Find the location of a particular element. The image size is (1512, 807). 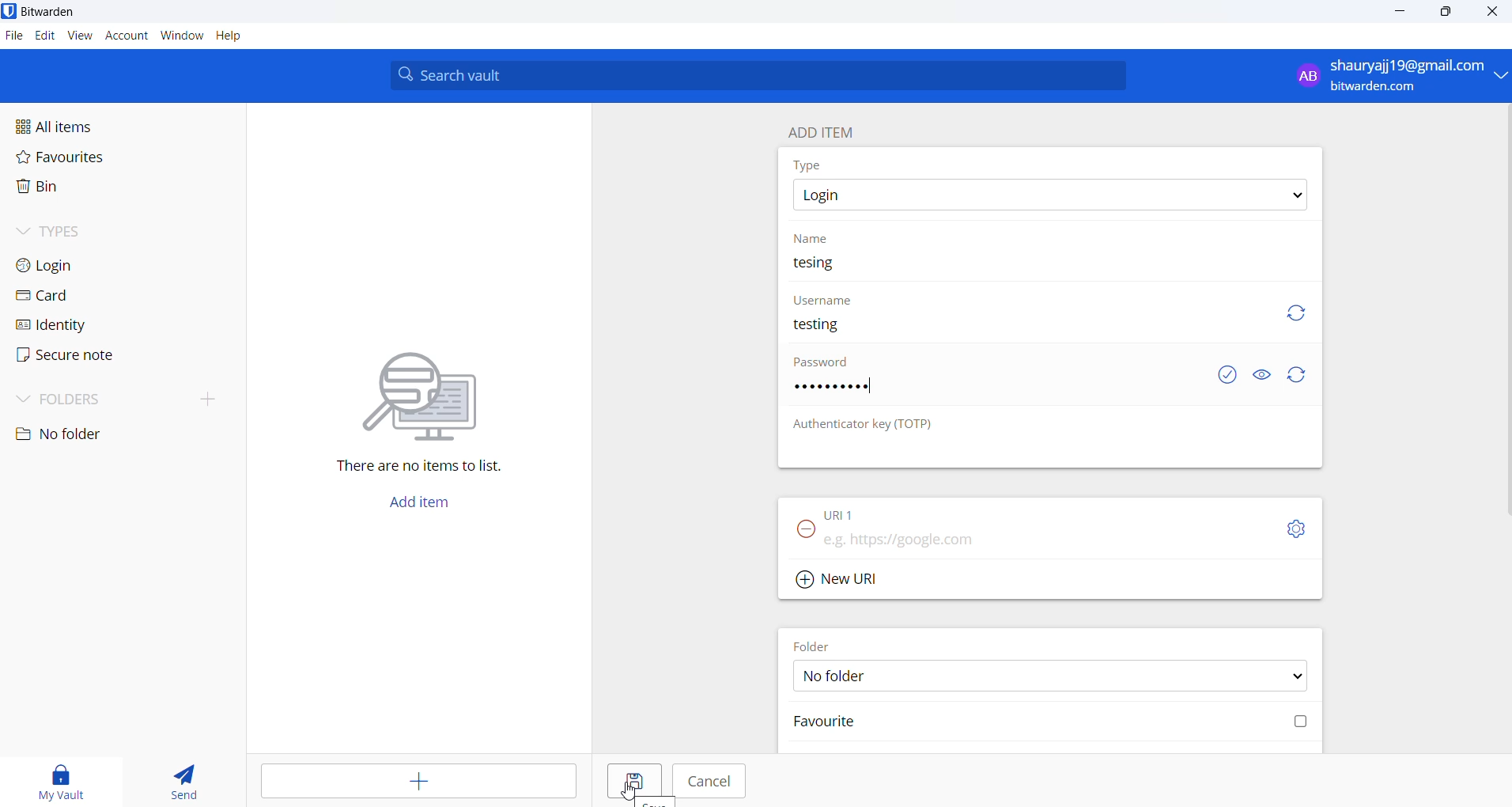

add folder is located at coordinates (201, 398).